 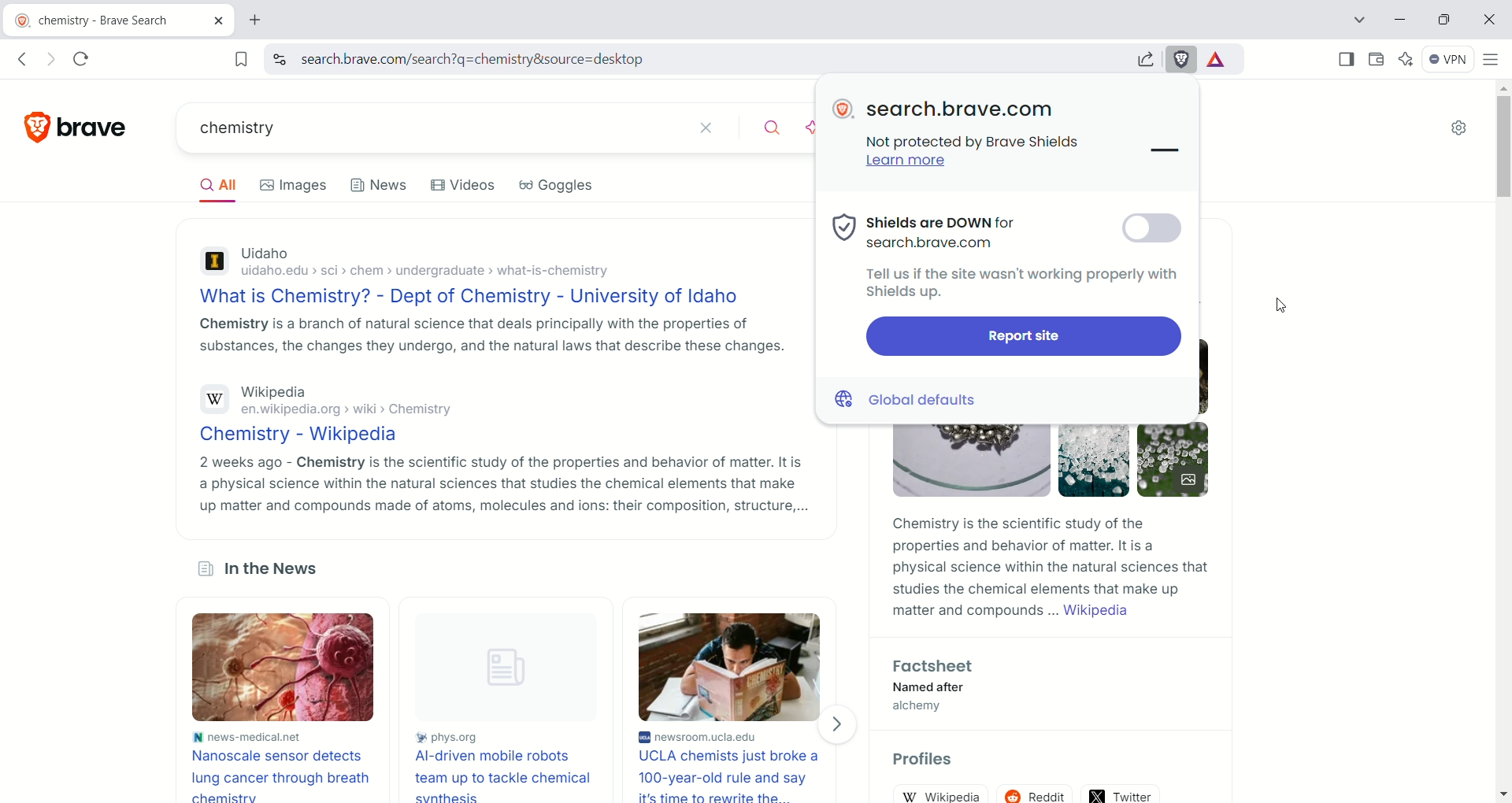 What do you see at coordinates (1400, 18) in the screenshot?
I see `minimize` at bounding box center [1400, 18].